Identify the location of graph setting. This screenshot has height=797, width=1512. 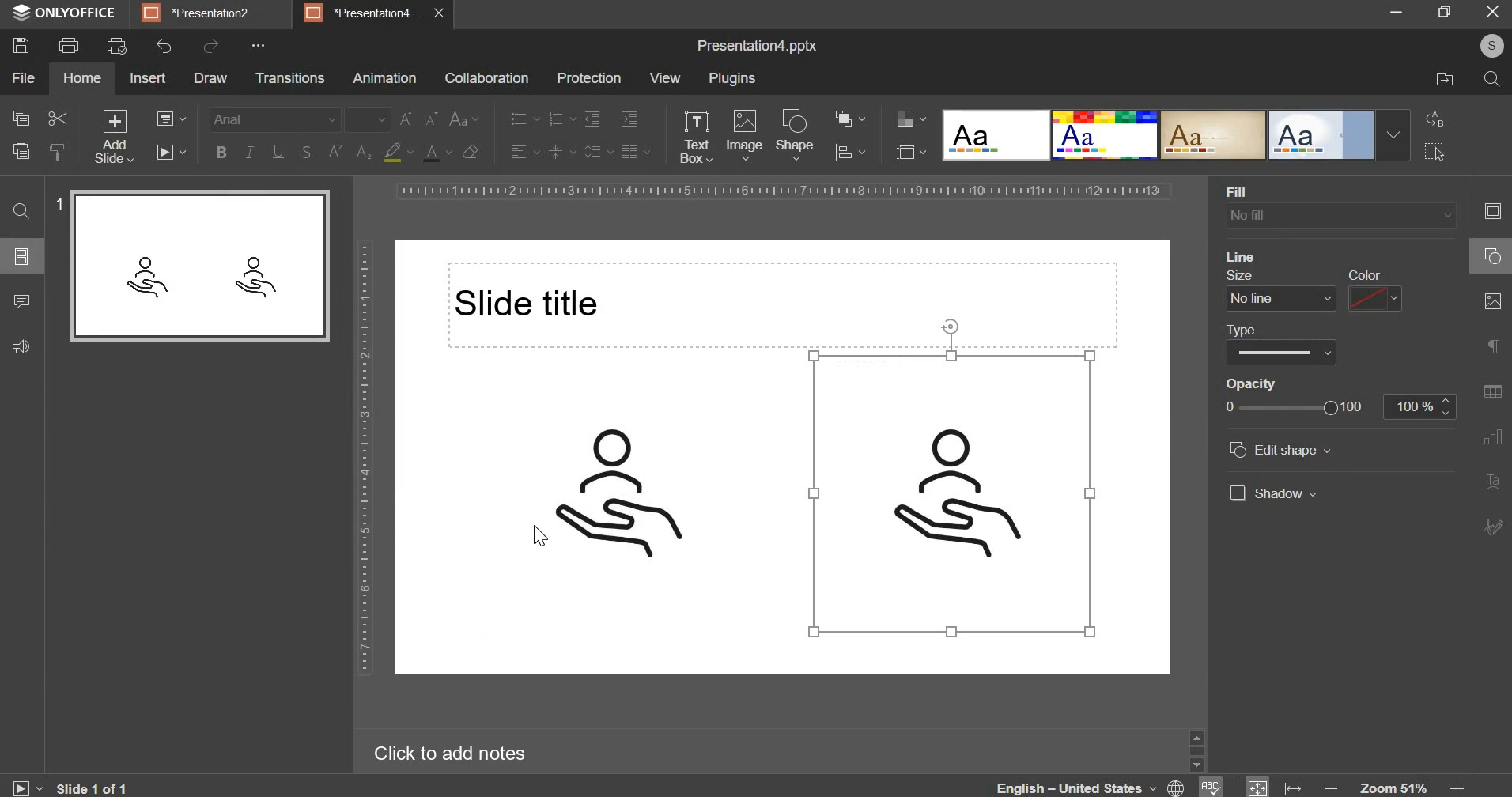
(1491, 436).